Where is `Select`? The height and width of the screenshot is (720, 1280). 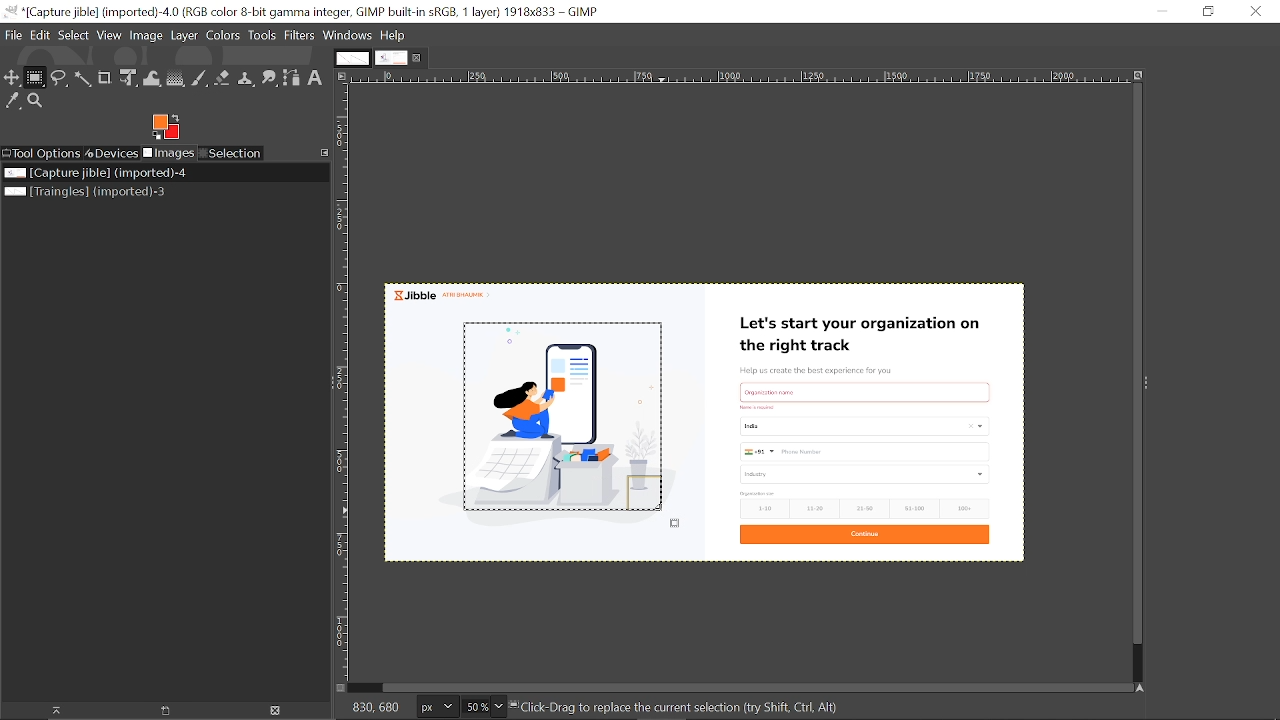 Select is located at coordinates (74, 35).